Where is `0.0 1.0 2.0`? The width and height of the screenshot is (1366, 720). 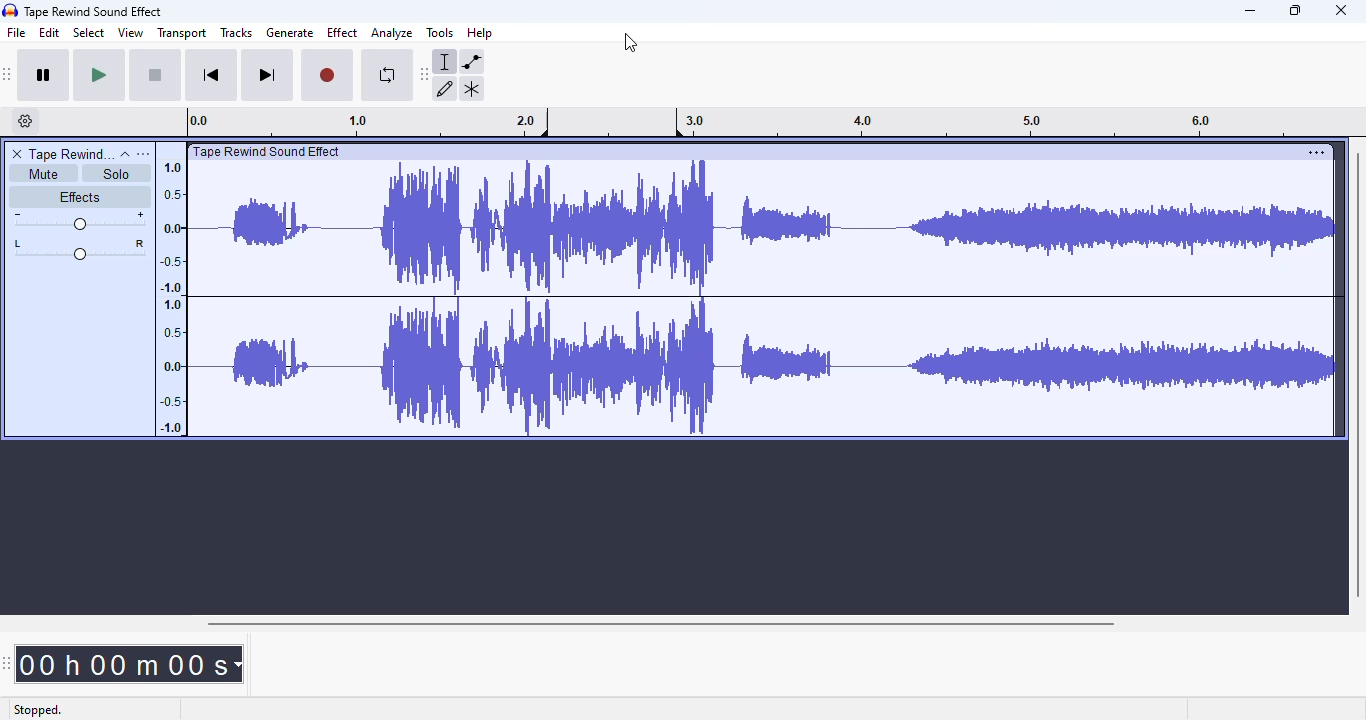
0.0 1.0 2.0 is located at coordinates (365, 122).